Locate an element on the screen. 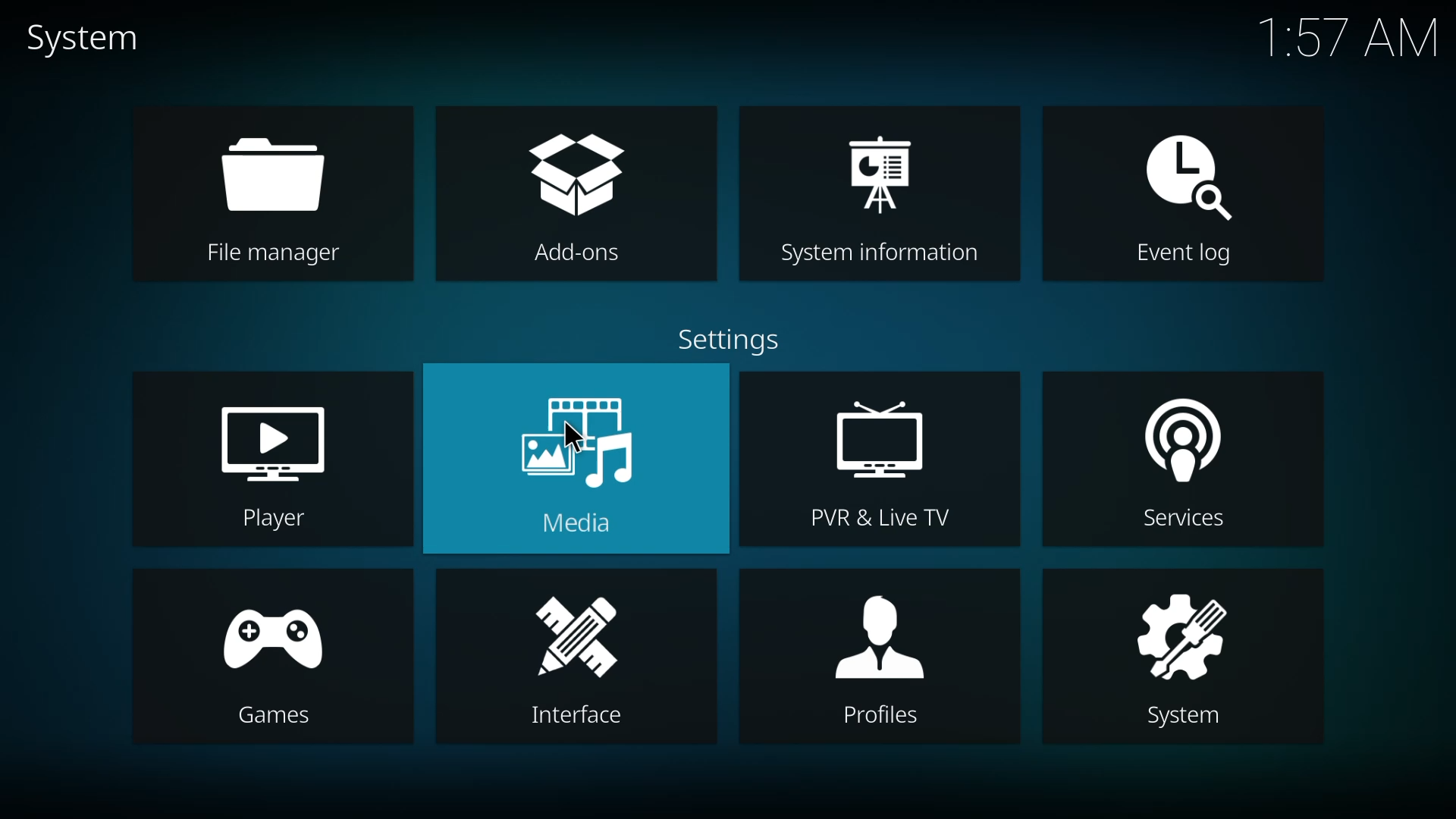 The width and height of the screenshot is (1456, 819). time is located at coordinates (1351, 38).